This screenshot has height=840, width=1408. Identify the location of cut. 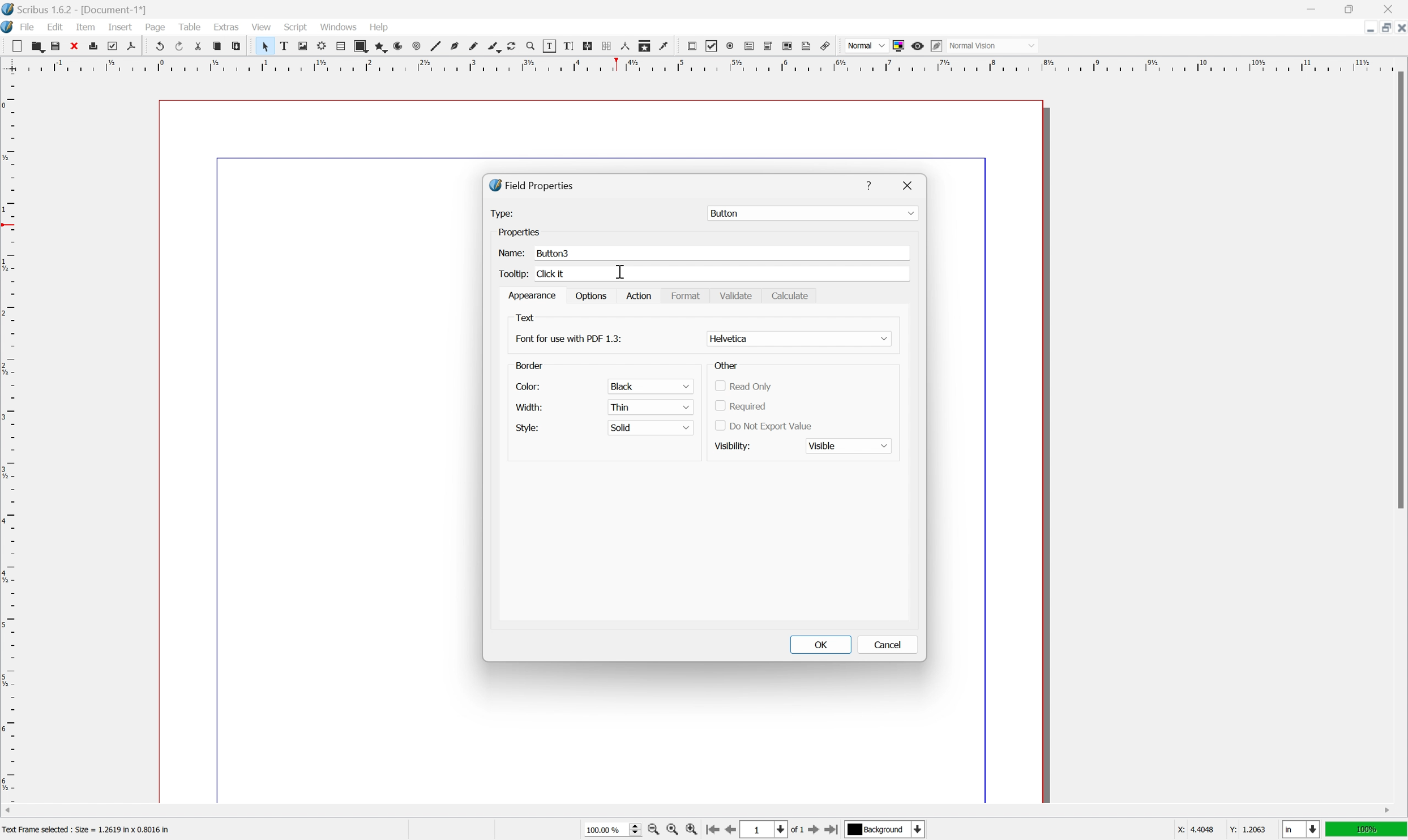
(198, 45).